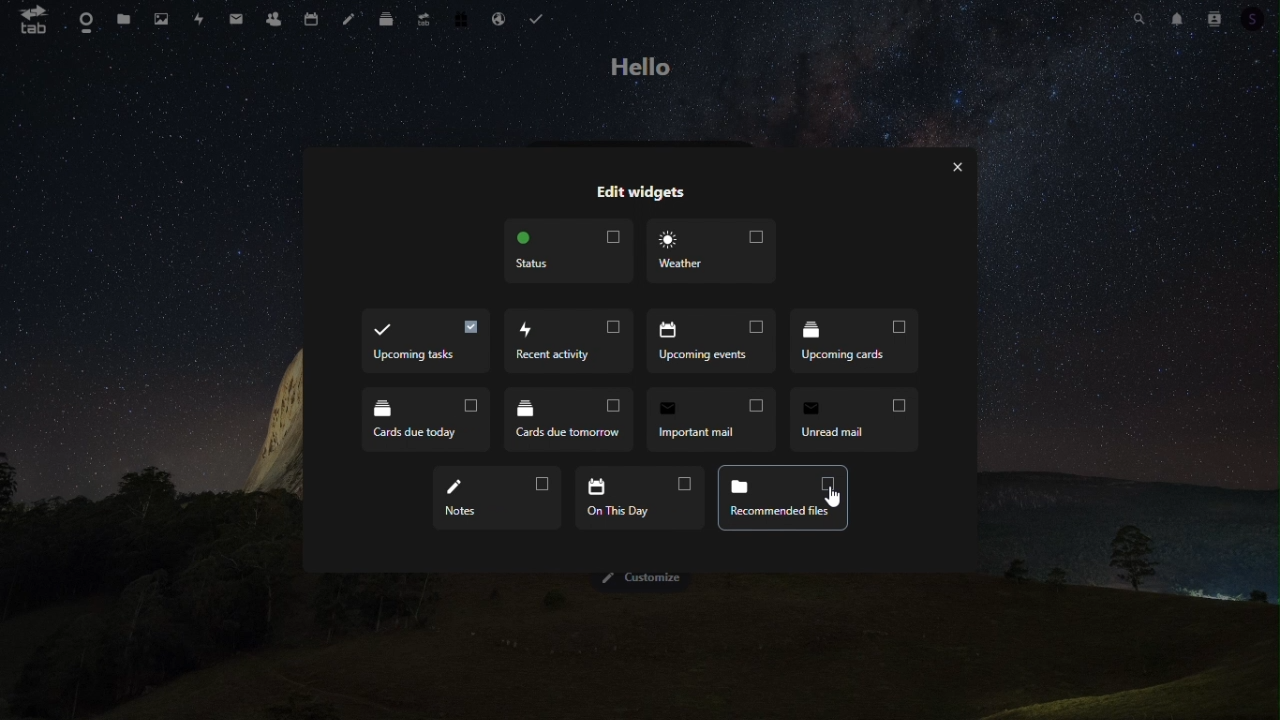  What do you see at coordinates (571, 343) in the screenshot?
I see `upcoming events` at bounding box center [571, 343].